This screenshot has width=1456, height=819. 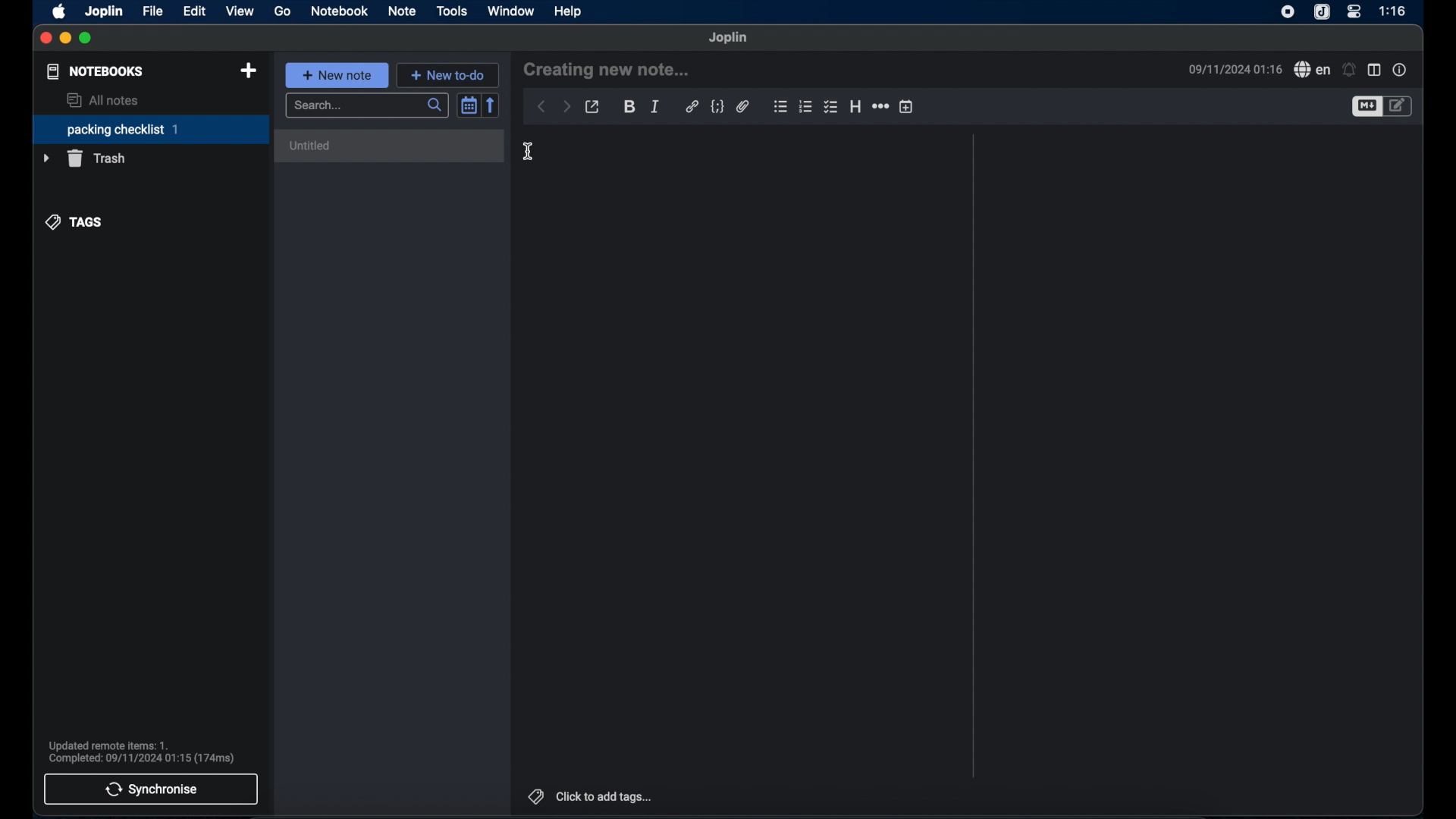 I want to click on forward, so click(x=566, y=106).